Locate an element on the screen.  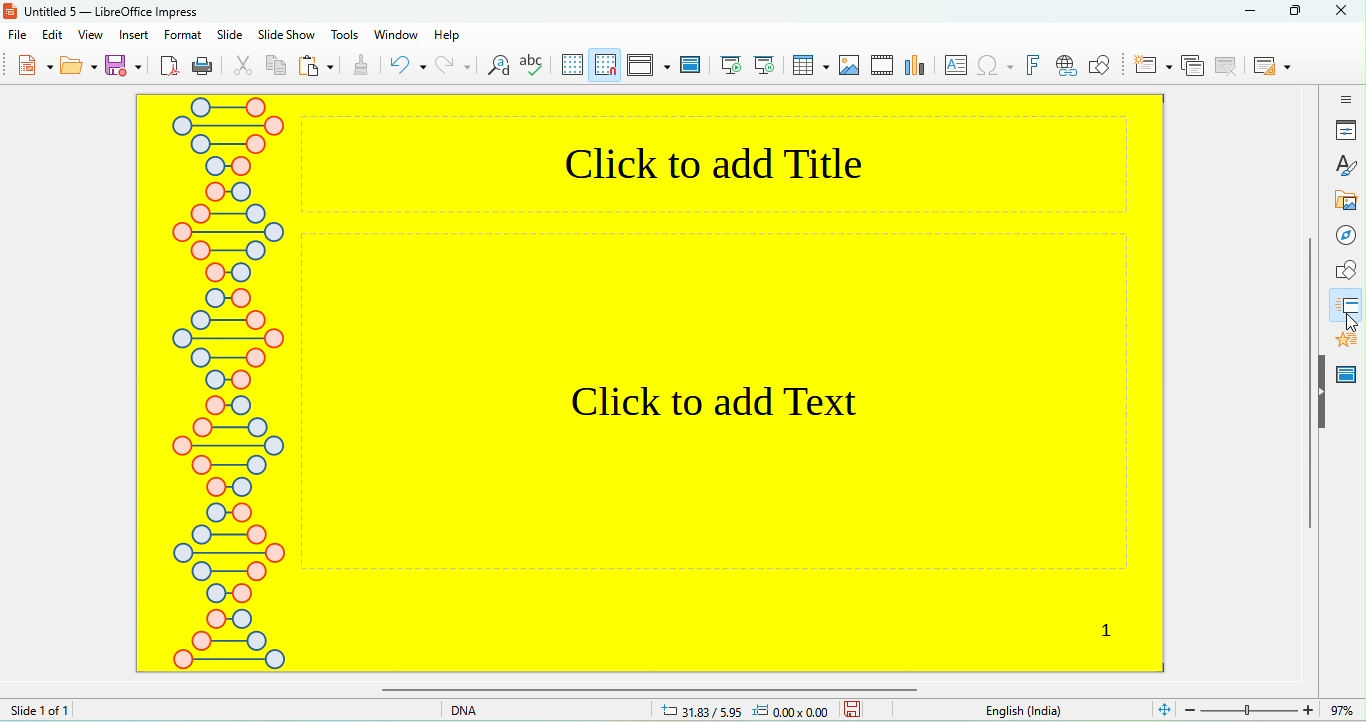
0.00x0.00 is located at coordinates (796, 710).